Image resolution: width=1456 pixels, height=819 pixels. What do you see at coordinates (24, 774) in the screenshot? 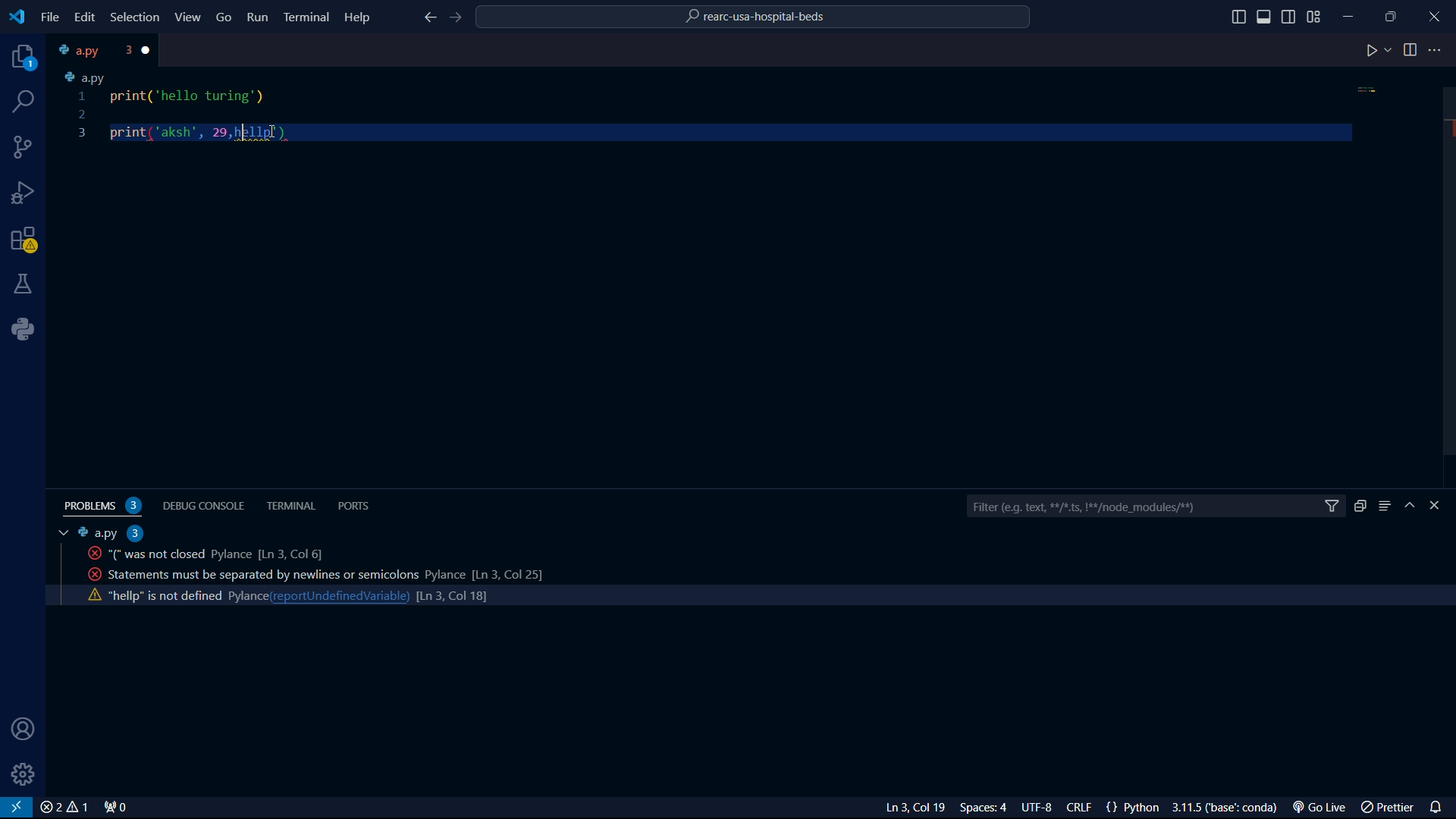
I see `settings` at bounding box center [24, 774].